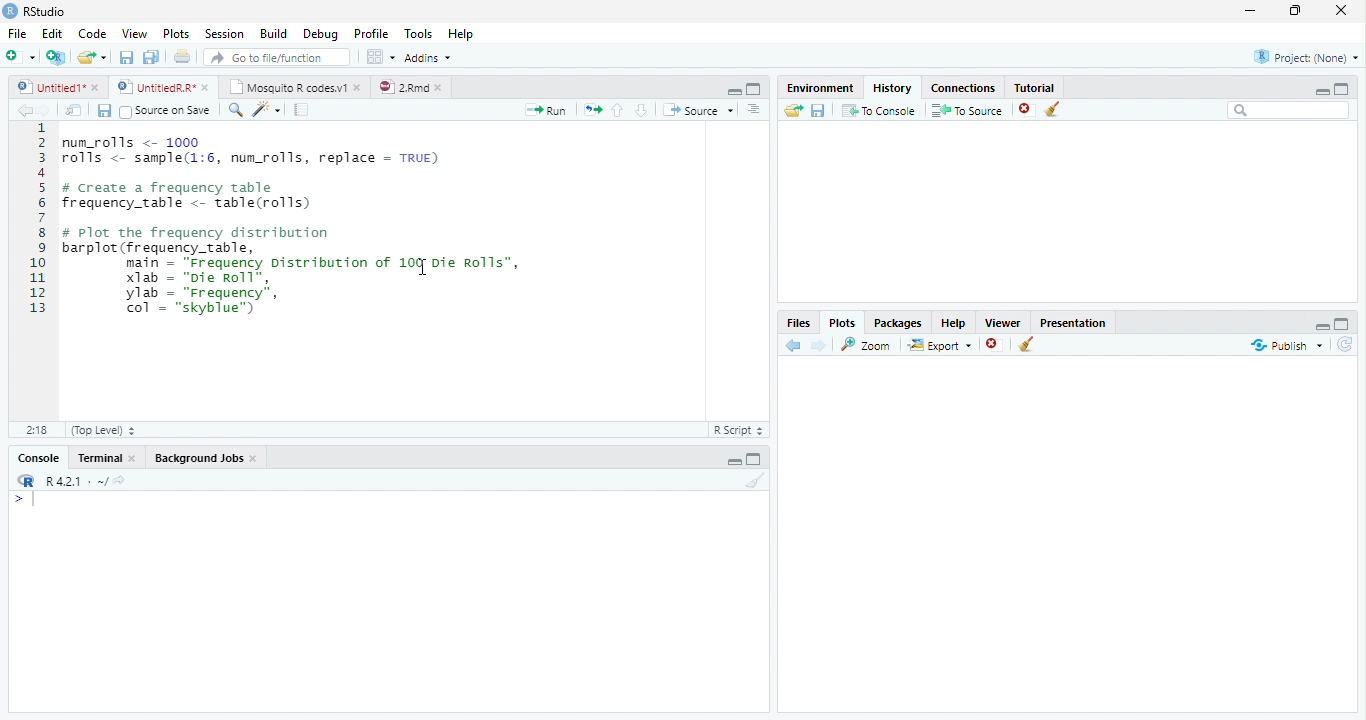  I want to click on To Source, so click(967, 110).